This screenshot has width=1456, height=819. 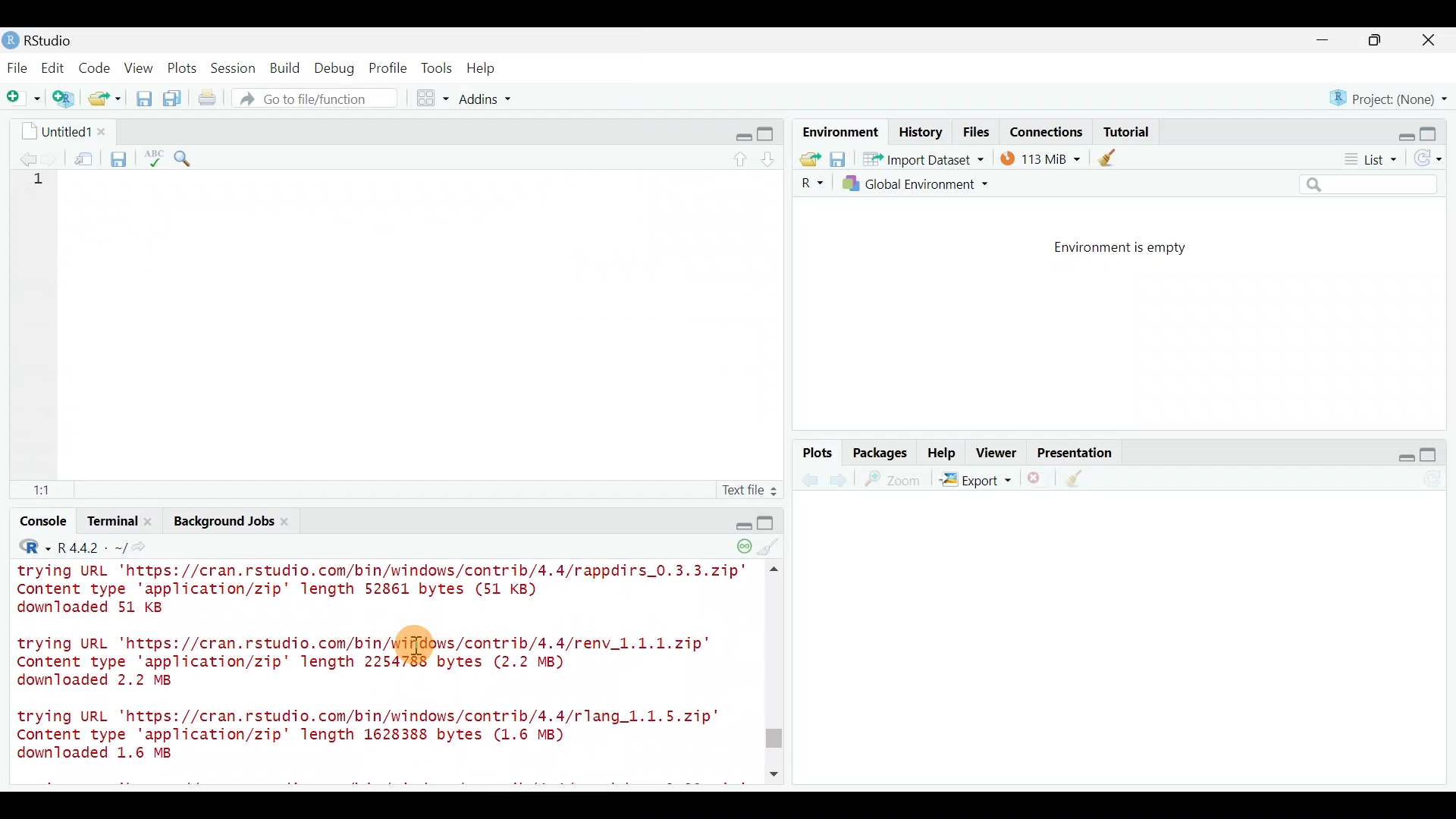 What do you see at coordinates (1047, 130) in the screenshot?
I see `Connections` at bounding box center [1047, 130].